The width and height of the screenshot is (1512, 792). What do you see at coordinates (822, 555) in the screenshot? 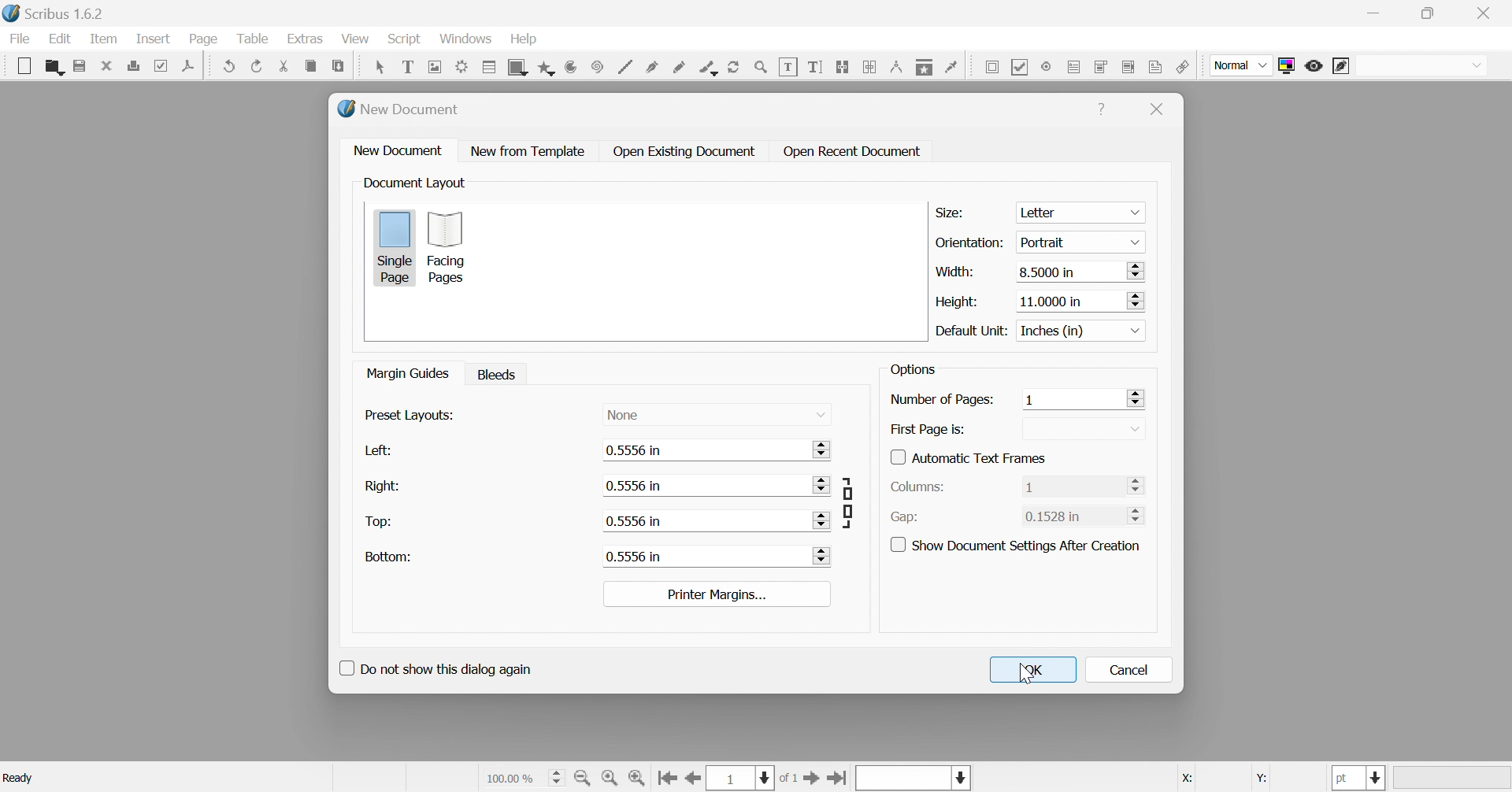
I see `slider` at bounding box center [822, 555].